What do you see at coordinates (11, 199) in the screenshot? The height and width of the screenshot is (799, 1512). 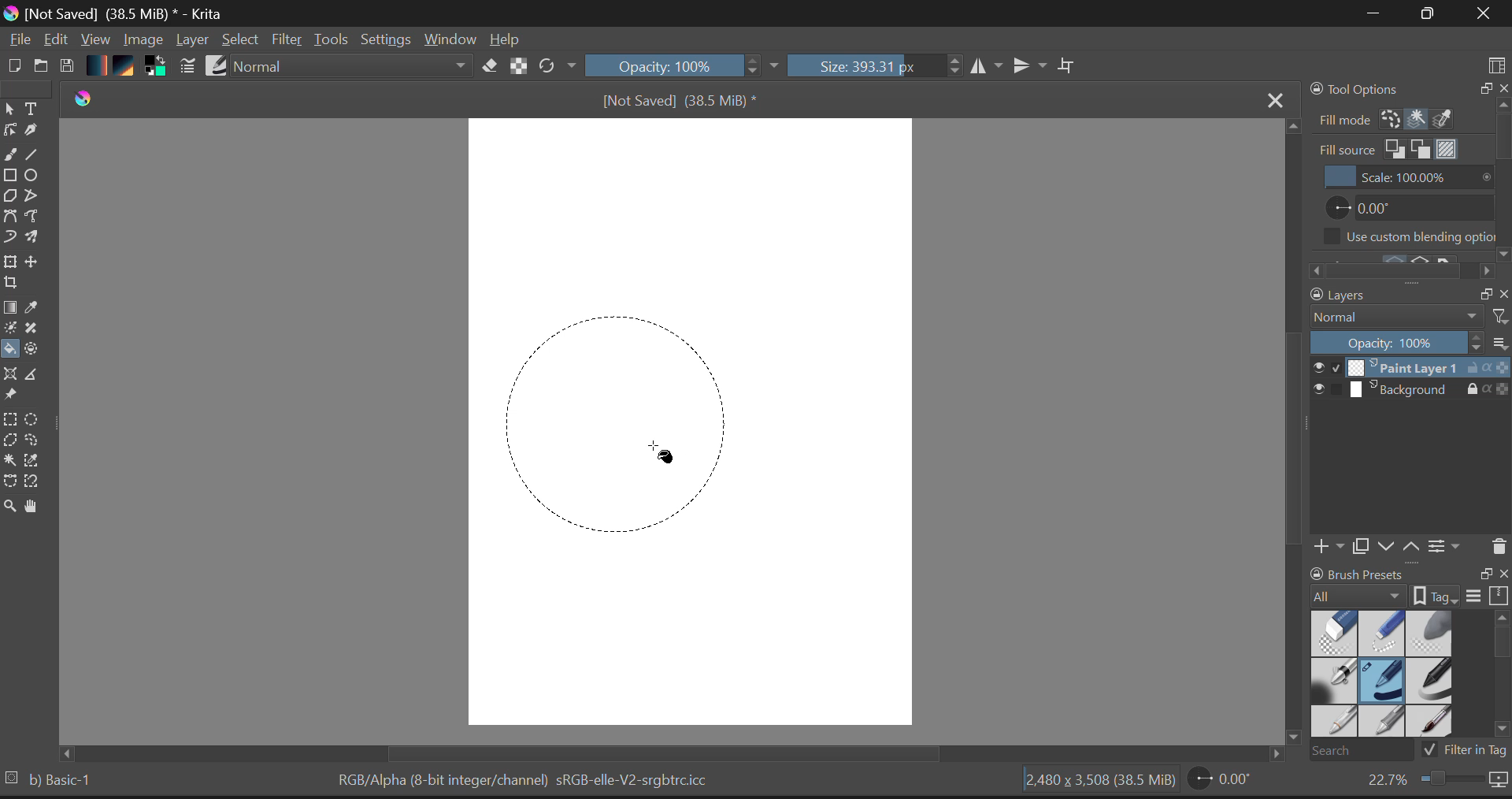 I see `Polygon` at bounding box center [11, 199].